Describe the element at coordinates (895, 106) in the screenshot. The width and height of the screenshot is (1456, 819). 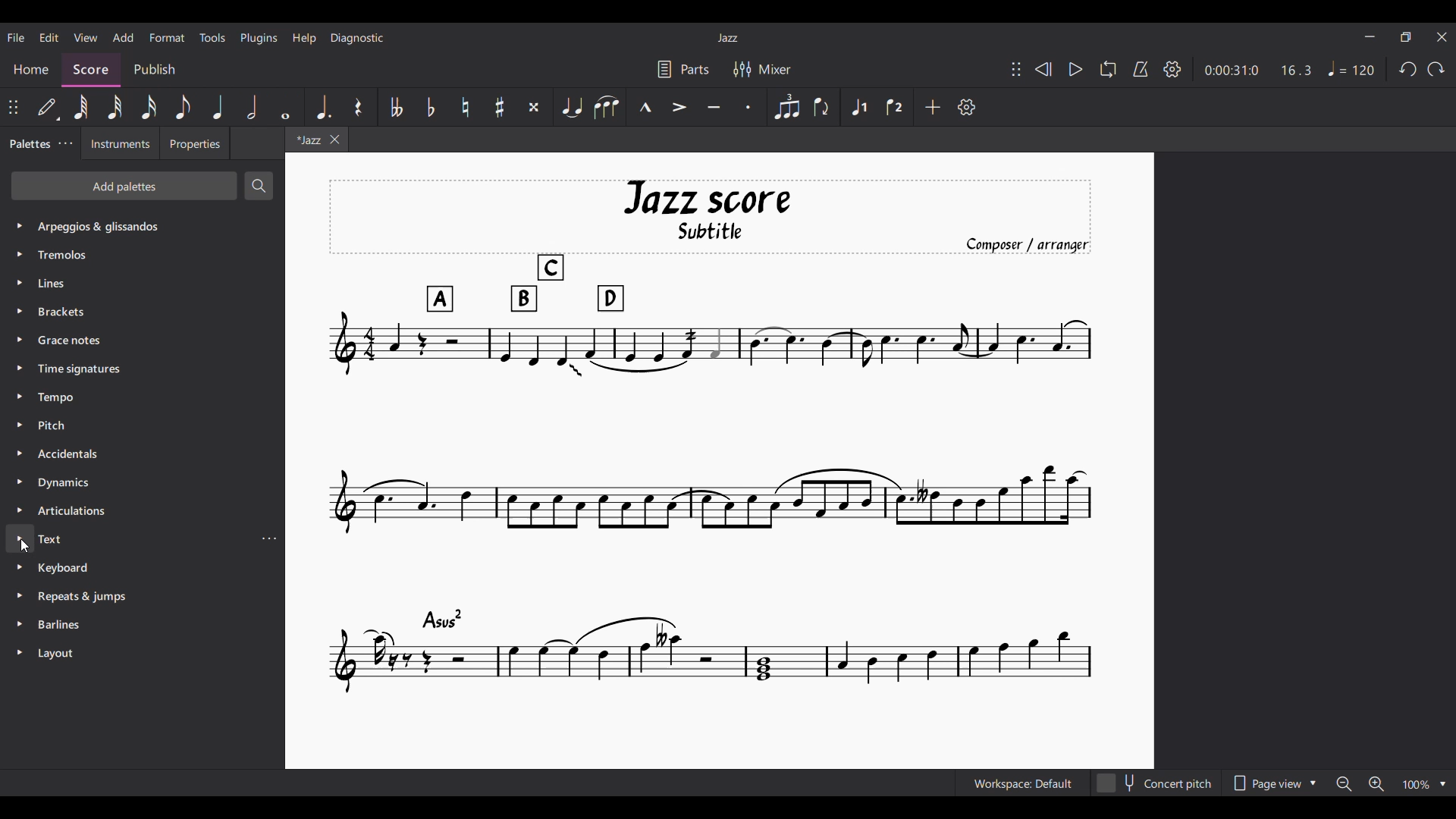
I see `Voice 2` at that location.